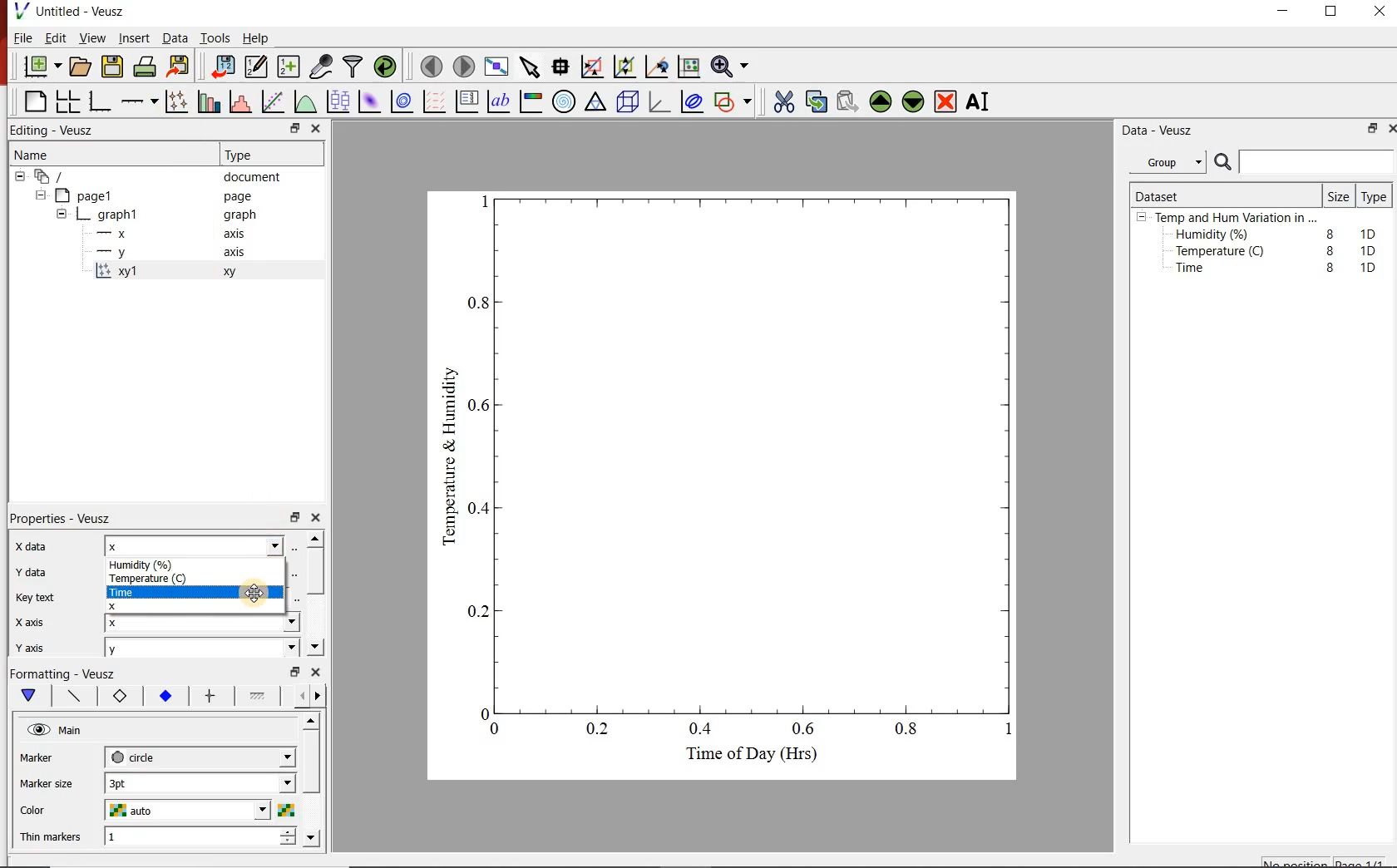 The width and height of the screenshot is (1397, 868). I want to click on page, so click(241, 197).